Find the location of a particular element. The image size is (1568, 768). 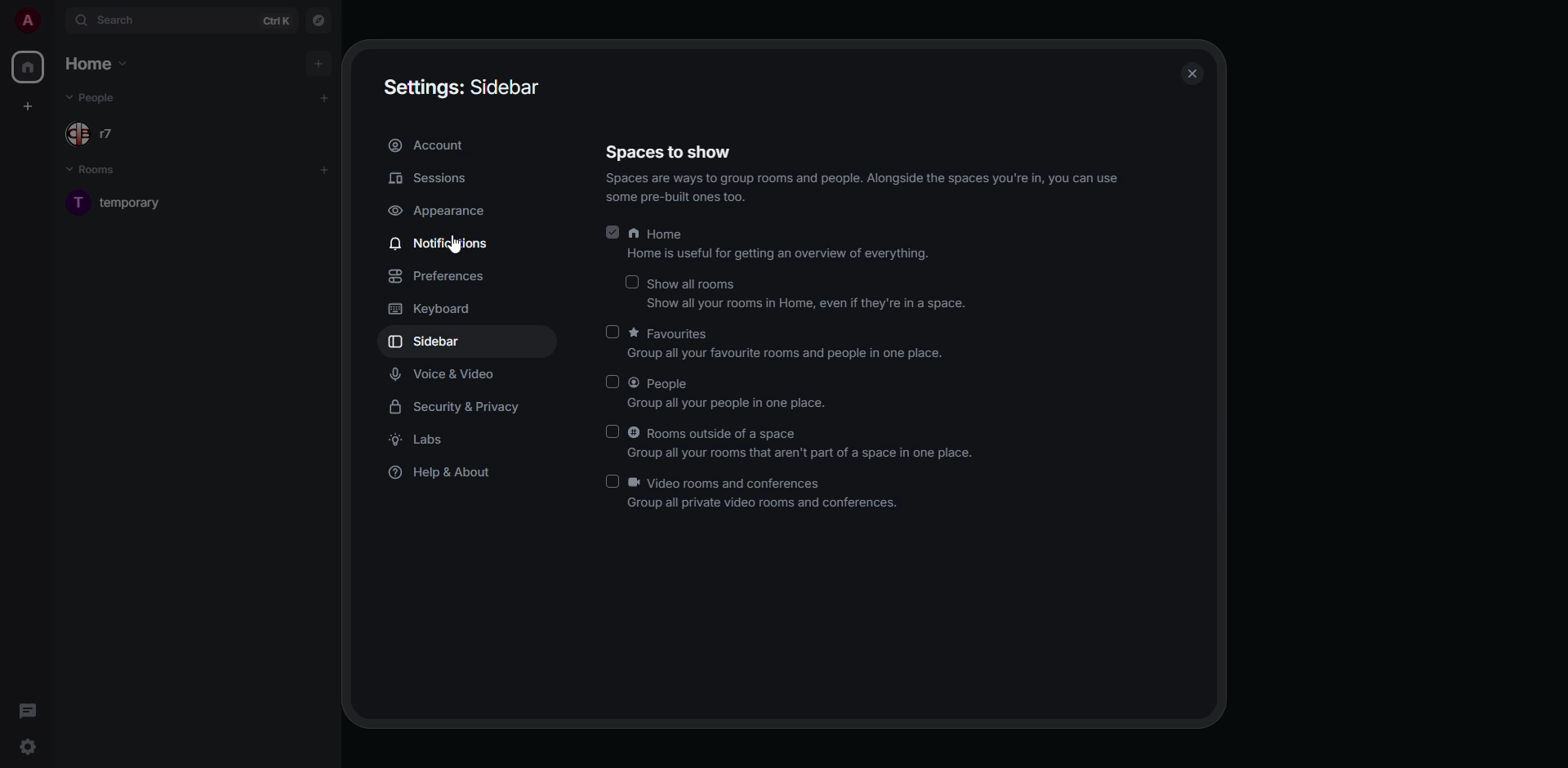

add is located at coordinates (320, 65).